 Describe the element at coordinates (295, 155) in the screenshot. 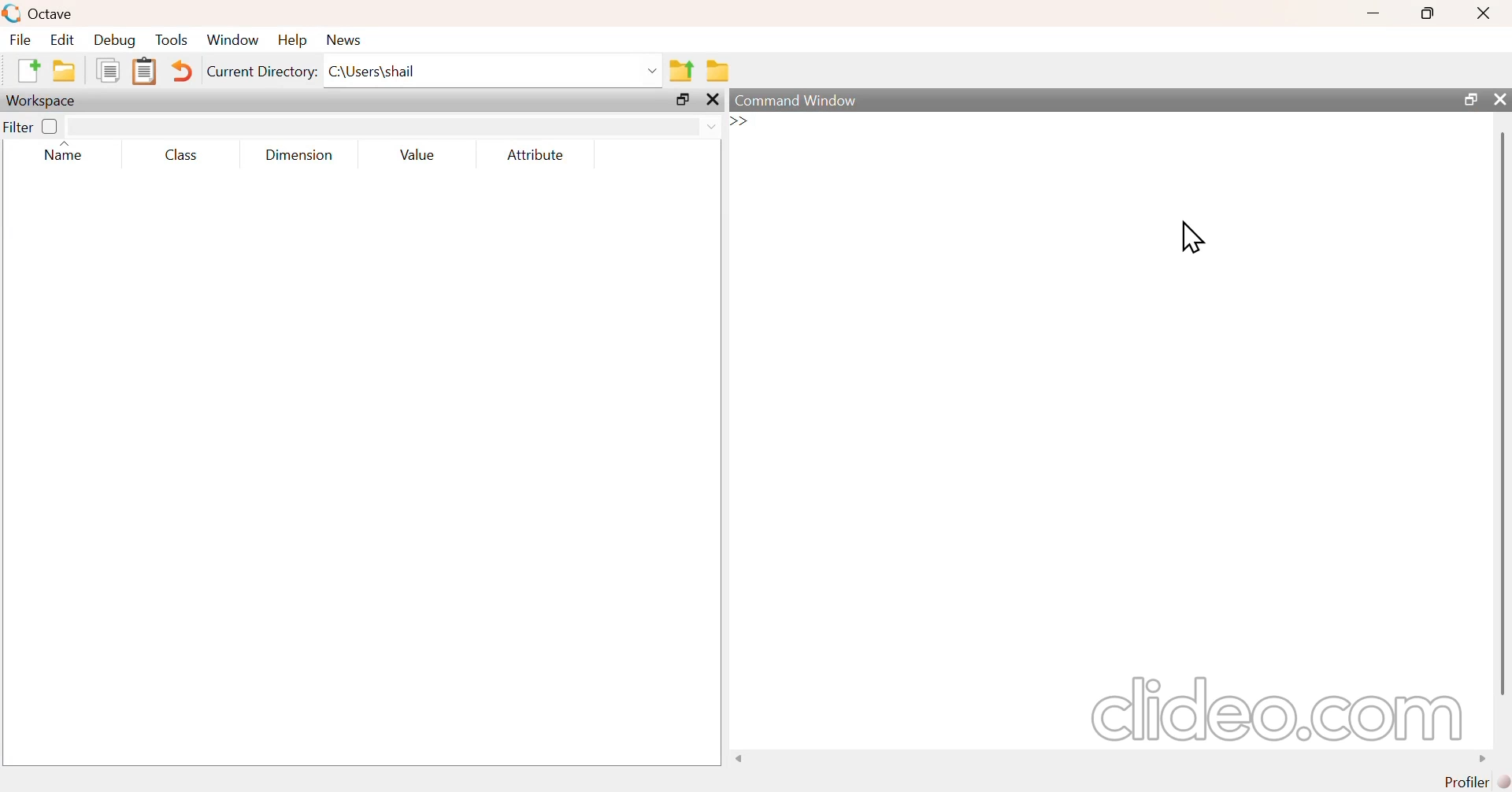

I see `dimension` at that location.